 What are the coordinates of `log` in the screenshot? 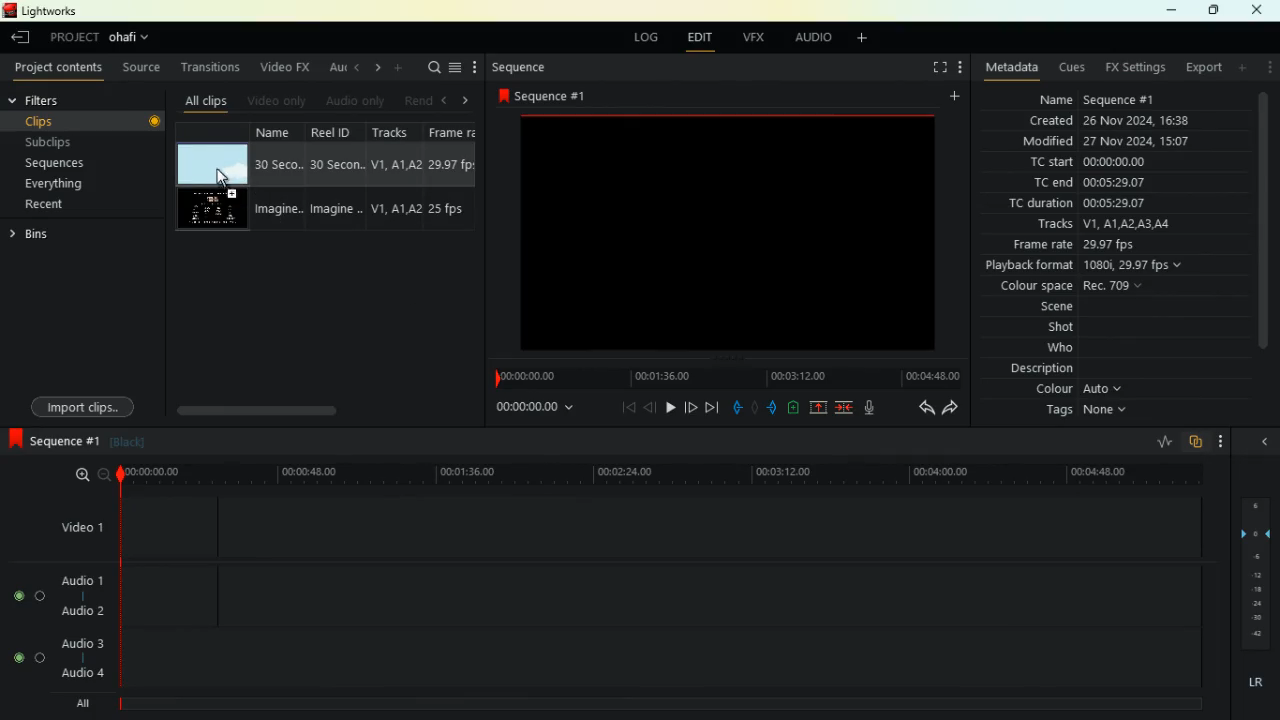 It's located at (640, 37).